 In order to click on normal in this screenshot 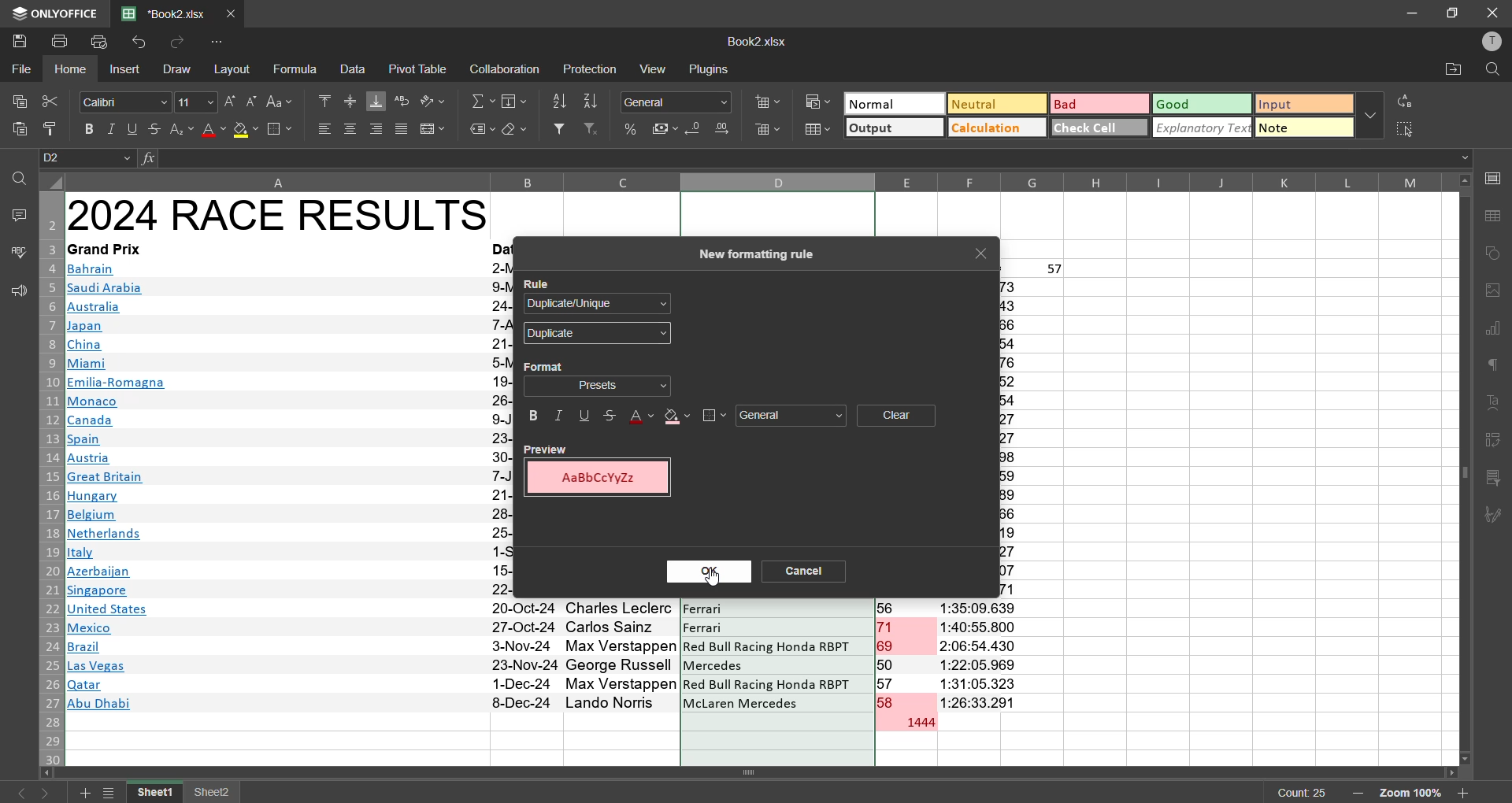, I will do `click(892, 103)`.